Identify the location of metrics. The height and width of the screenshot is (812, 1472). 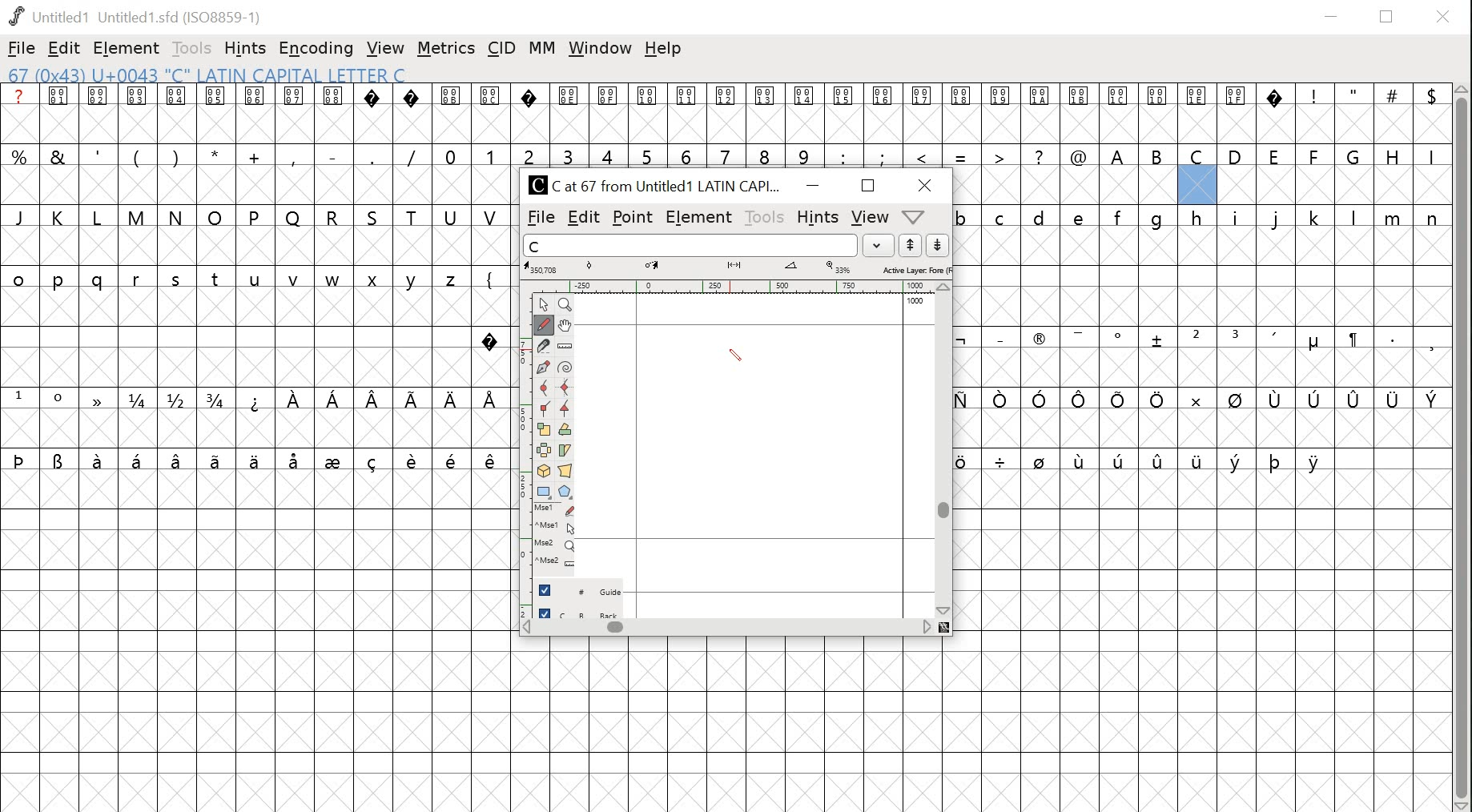
(445, 48).